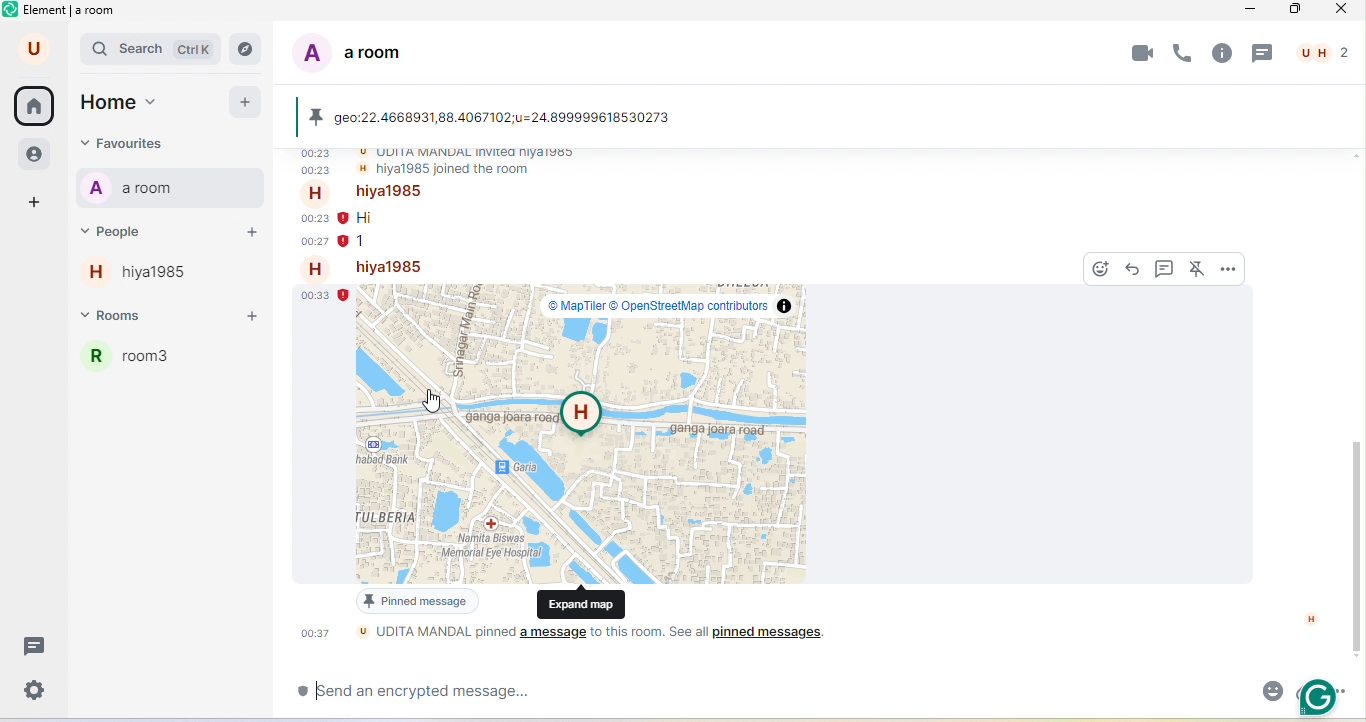 Image resolution: width=1366 pixels, height=722 pixels. Describe the element at coordinates (1135, 269) in the screenshot. I see `reply` at that location.